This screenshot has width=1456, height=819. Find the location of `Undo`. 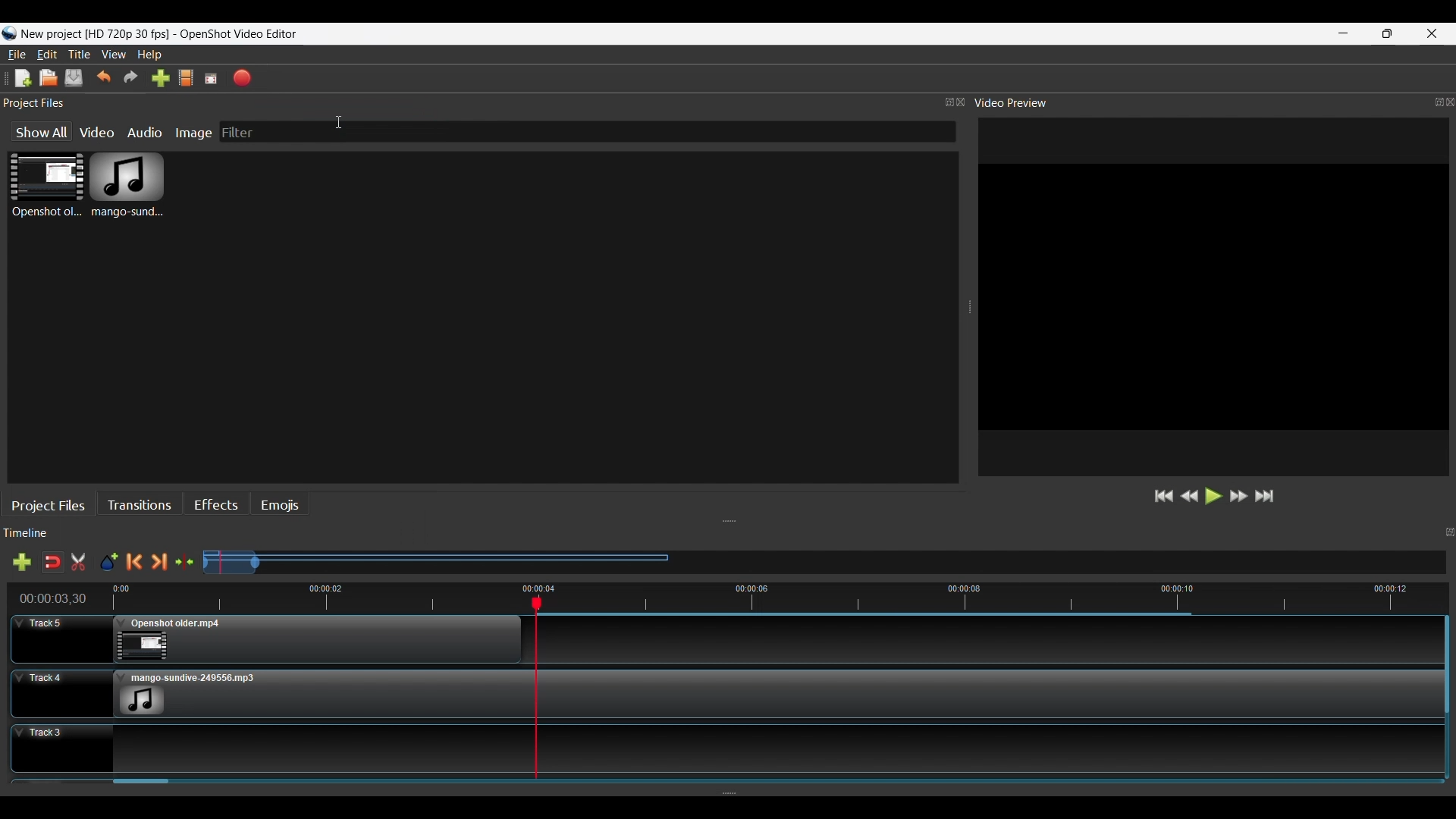

Undo is located at coordinates (105, 77).